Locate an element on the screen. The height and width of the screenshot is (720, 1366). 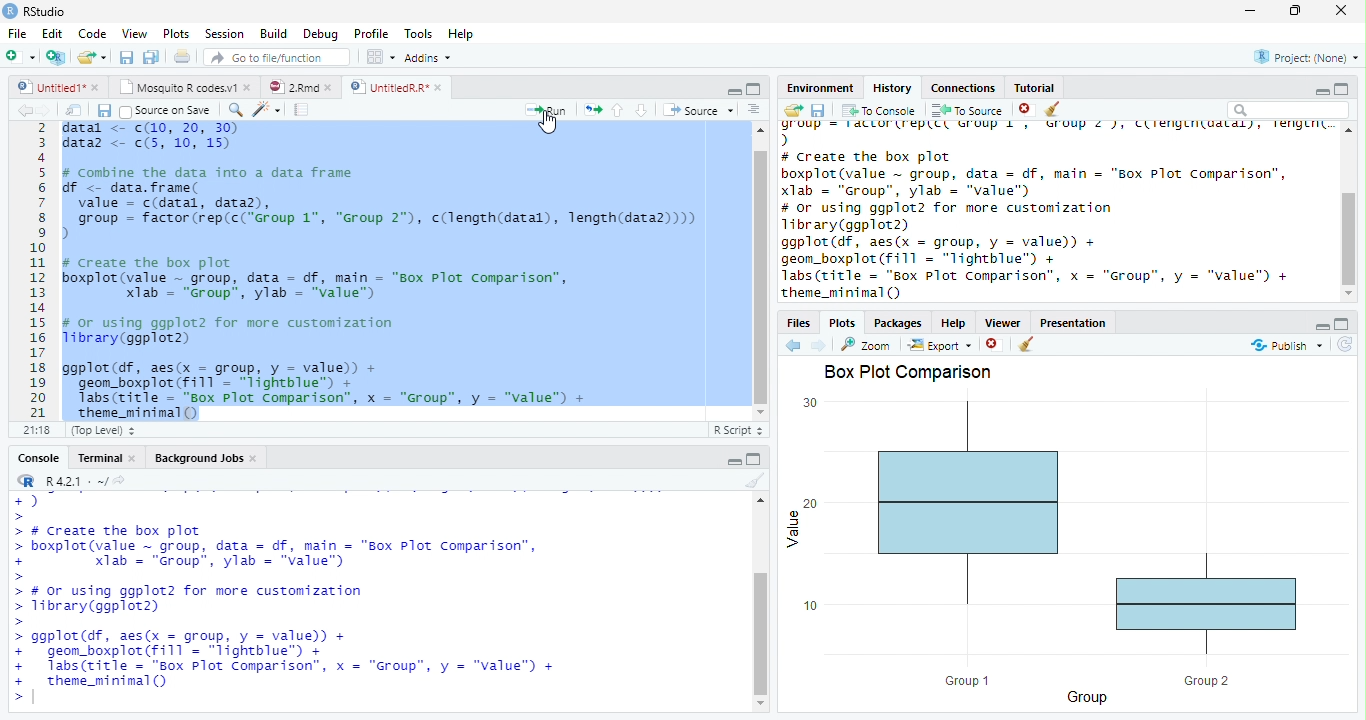
View the current working directory is located at coordinates (119, 480).